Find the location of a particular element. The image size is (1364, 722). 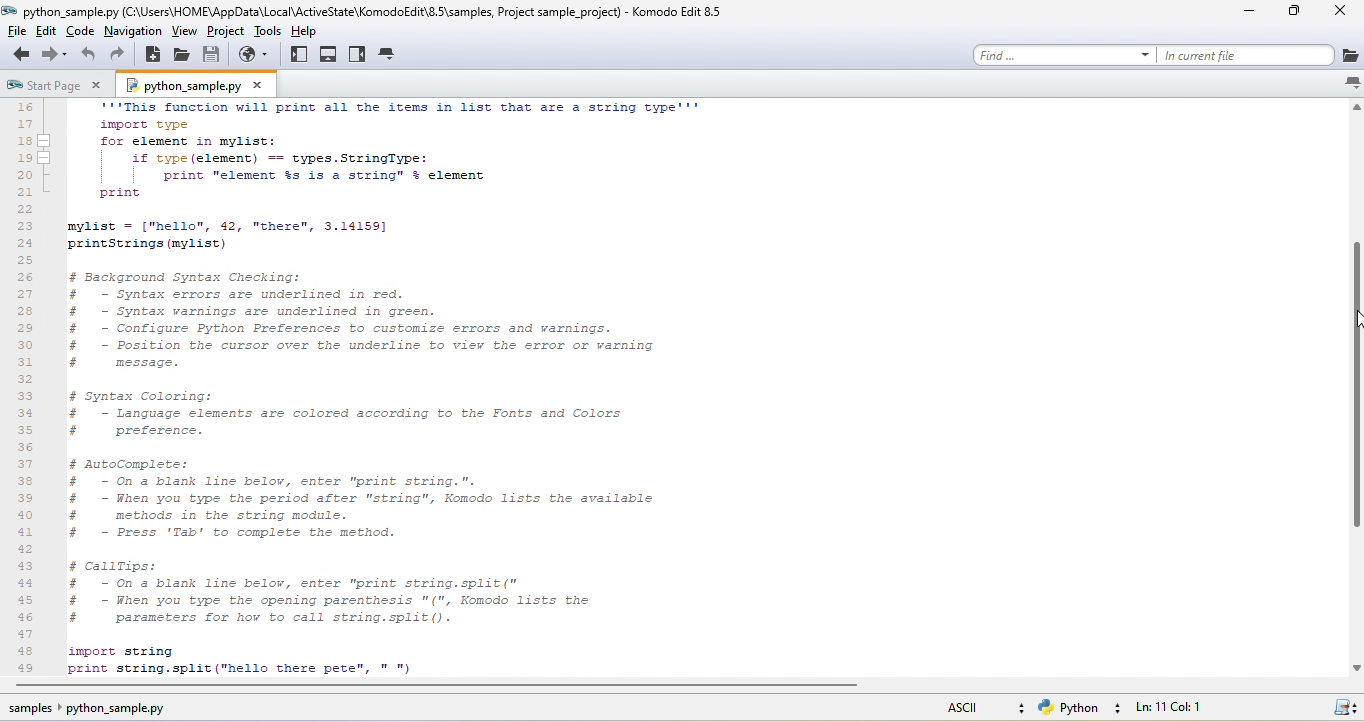

view is located at coordinates (184, 31).